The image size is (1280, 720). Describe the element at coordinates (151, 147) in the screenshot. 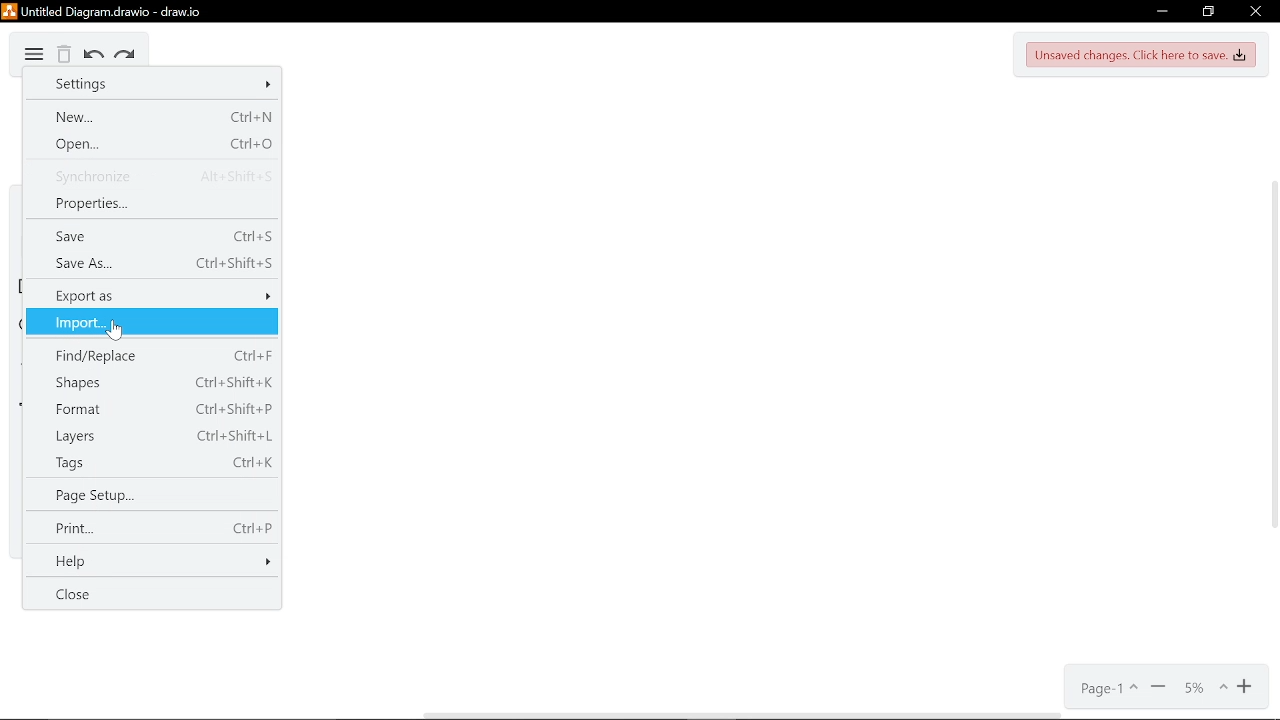

I see `Open` at that location.